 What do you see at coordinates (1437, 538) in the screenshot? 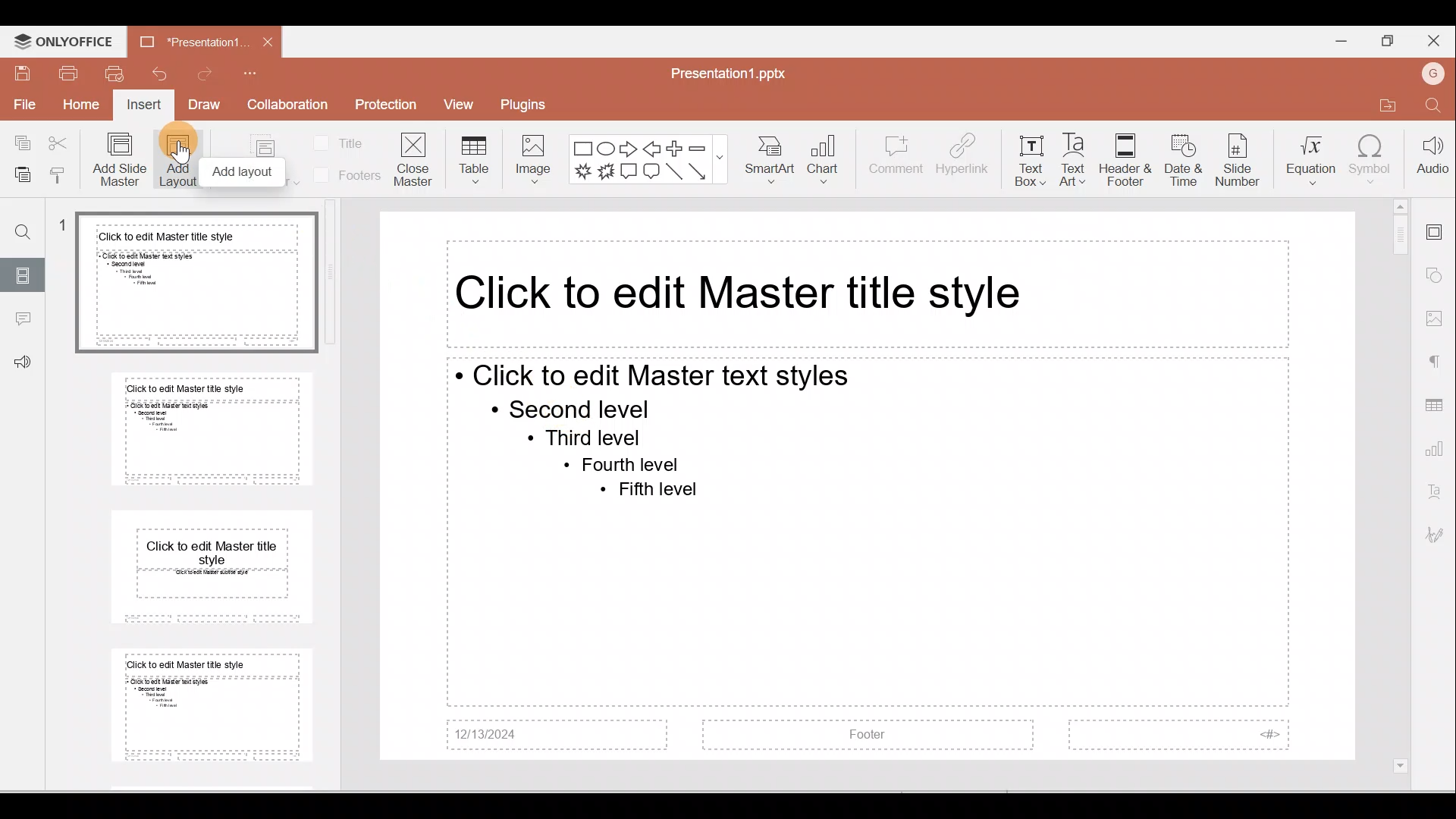
I see `Signature settings` at bounding box center [1437, 538].